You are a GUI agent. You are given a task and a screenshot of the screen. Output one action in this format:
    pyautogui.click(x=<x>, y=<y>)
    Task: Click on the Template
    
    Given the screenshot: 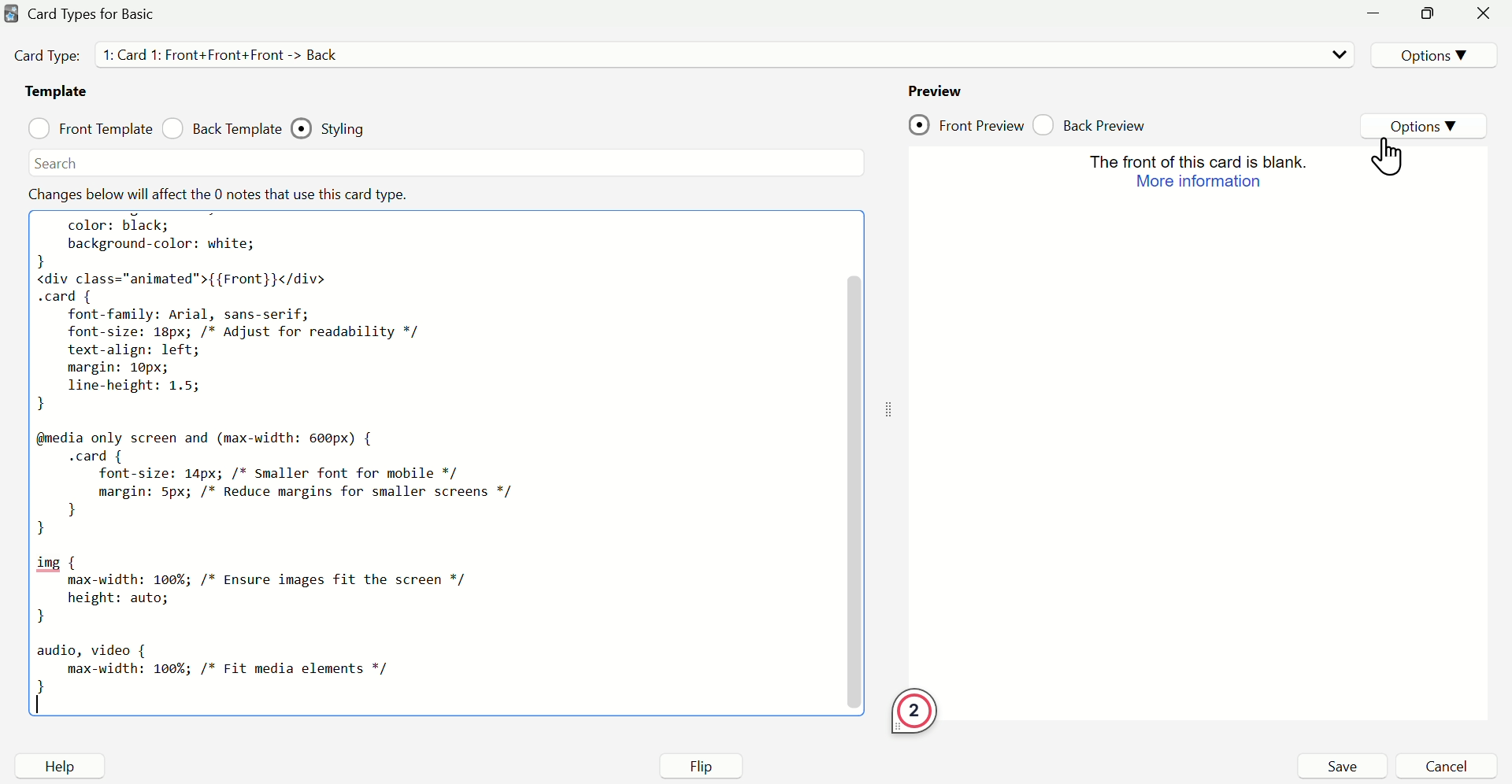 What is the action you would take?
    pyautogui.click(x=57, y=94)
    